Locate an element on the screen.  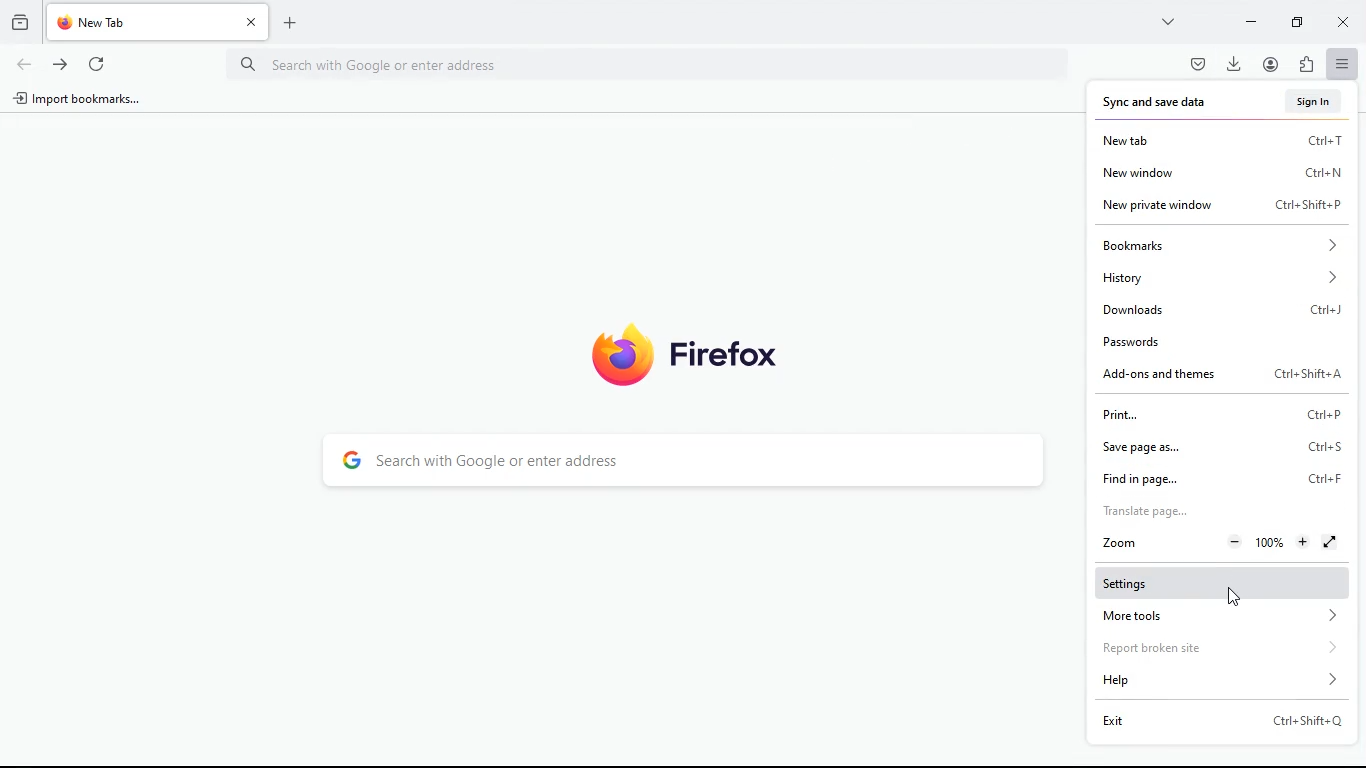
add-ons and themes is located at coordinates (1223, 376).